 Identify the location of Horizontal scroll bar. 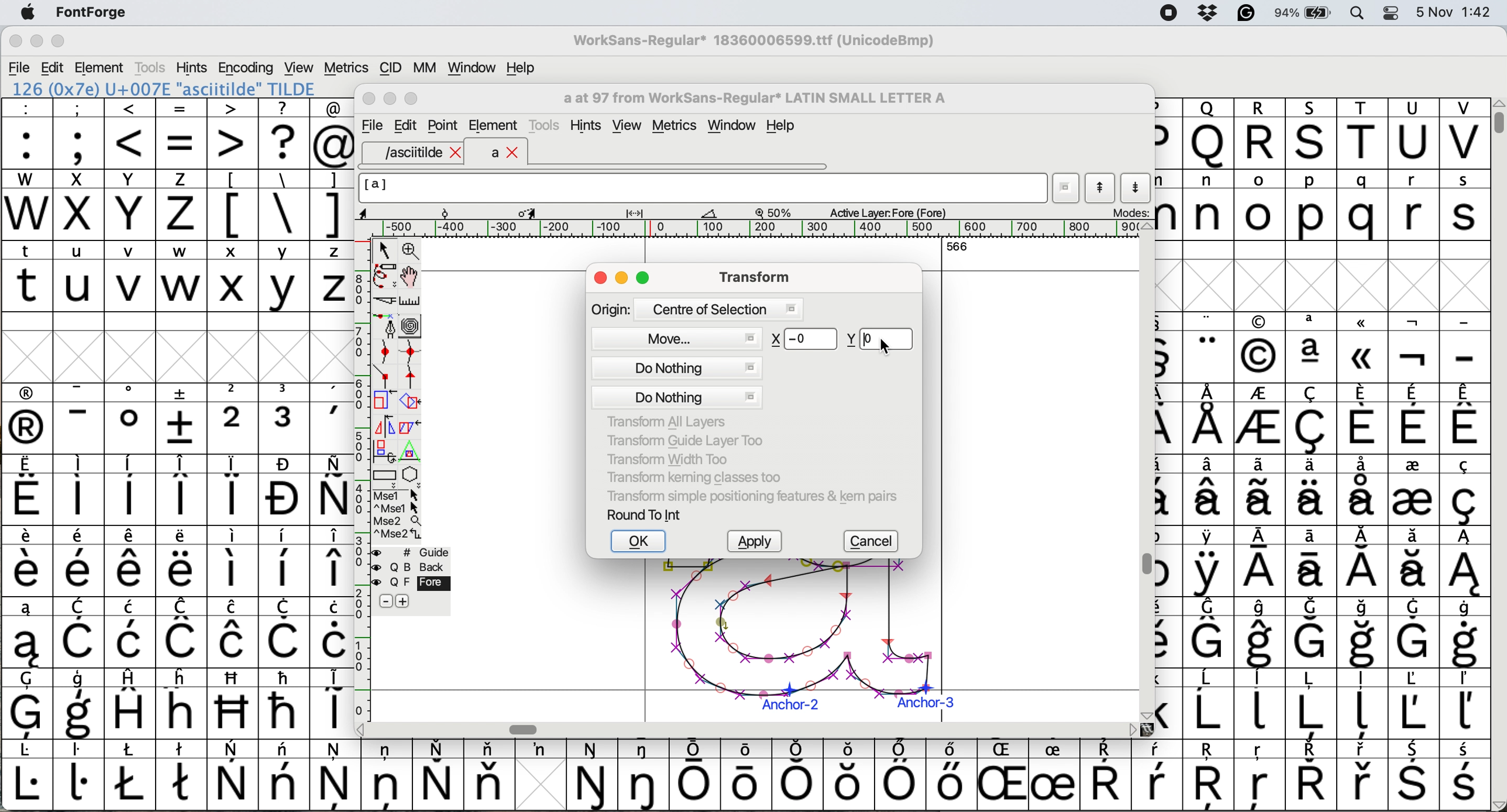
(527, 729).